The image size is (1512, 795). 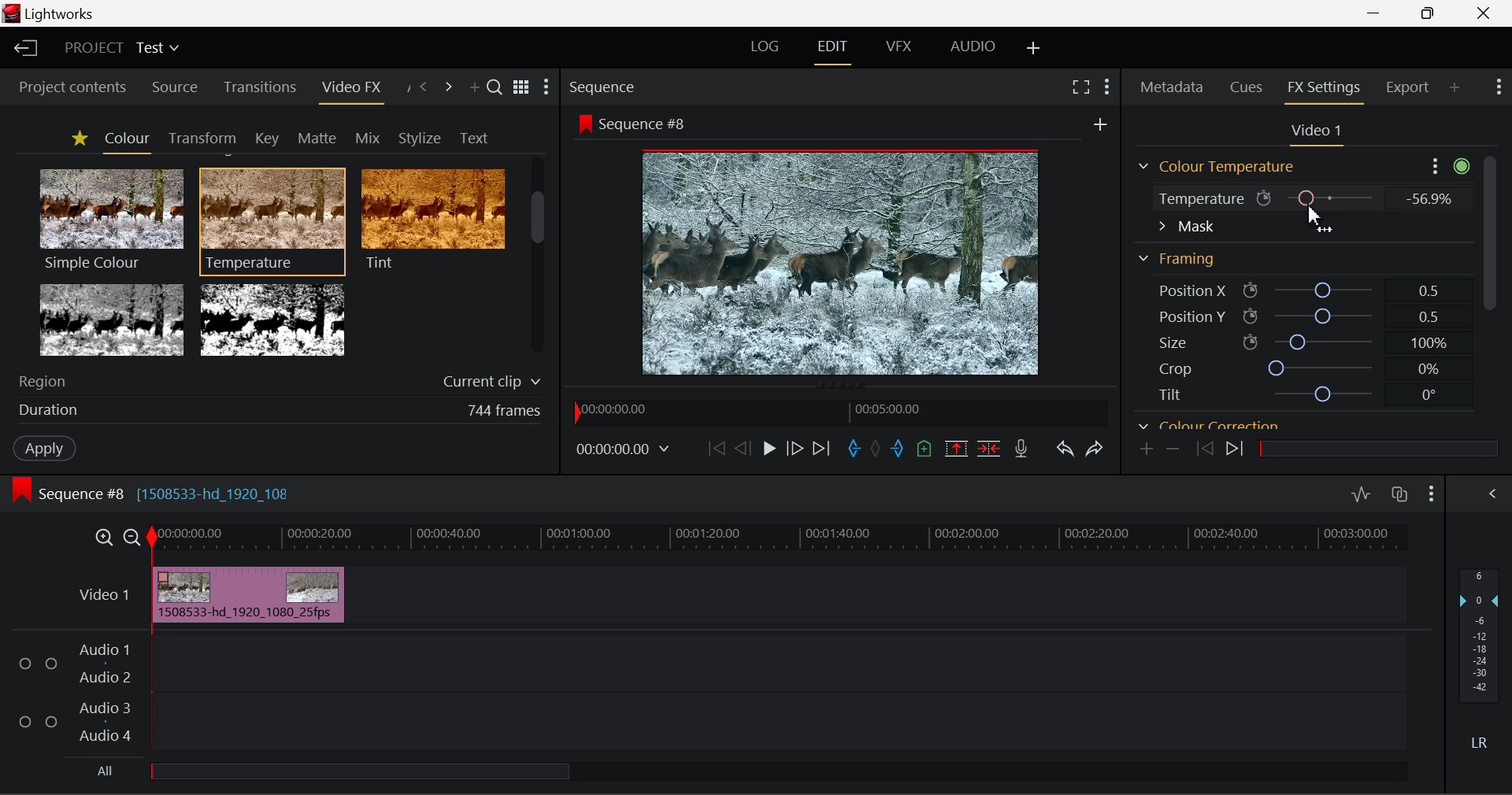 I want to click on Colour Temperature, so click(x=1221, y=167).